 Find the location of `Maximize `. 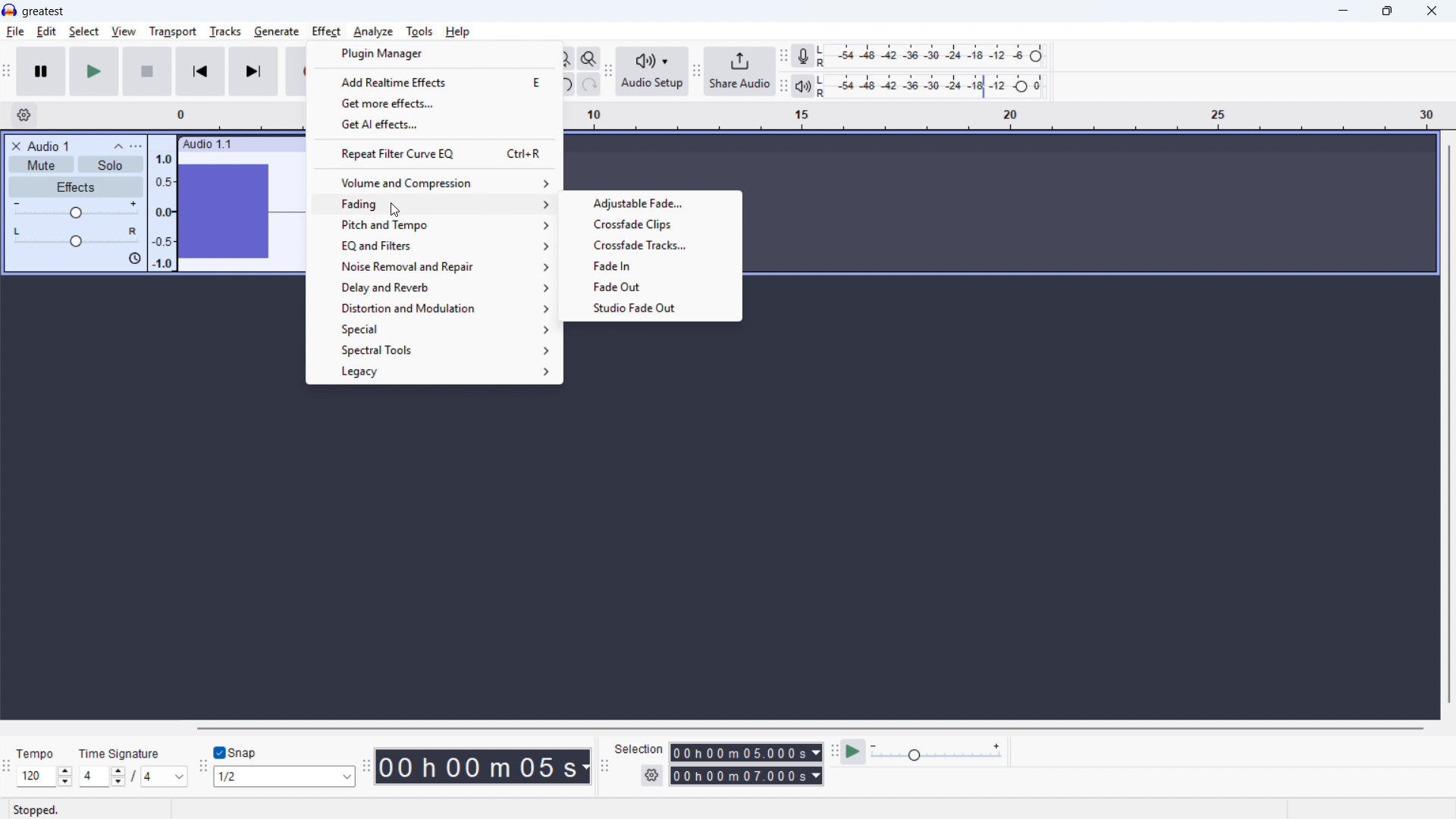

Maximize  is located at coordinates (1387, 11).